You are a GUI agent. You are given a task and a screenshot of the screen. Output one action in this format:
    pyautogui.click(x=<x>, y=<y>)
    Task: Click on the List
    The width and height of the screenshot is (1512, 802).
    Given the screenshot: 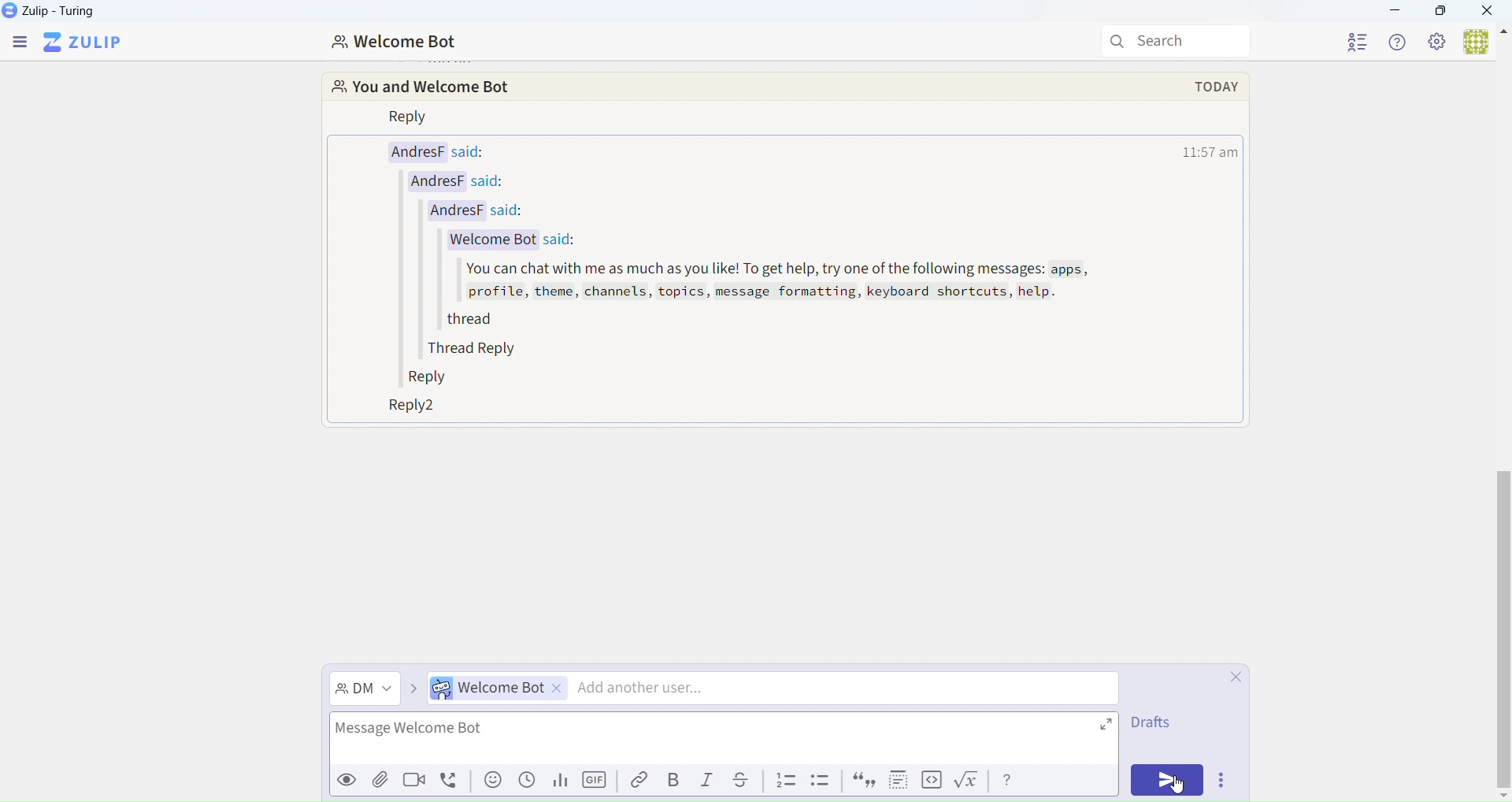 What is the action you would take?
    pyautogui.click(x=821, y=782)
    